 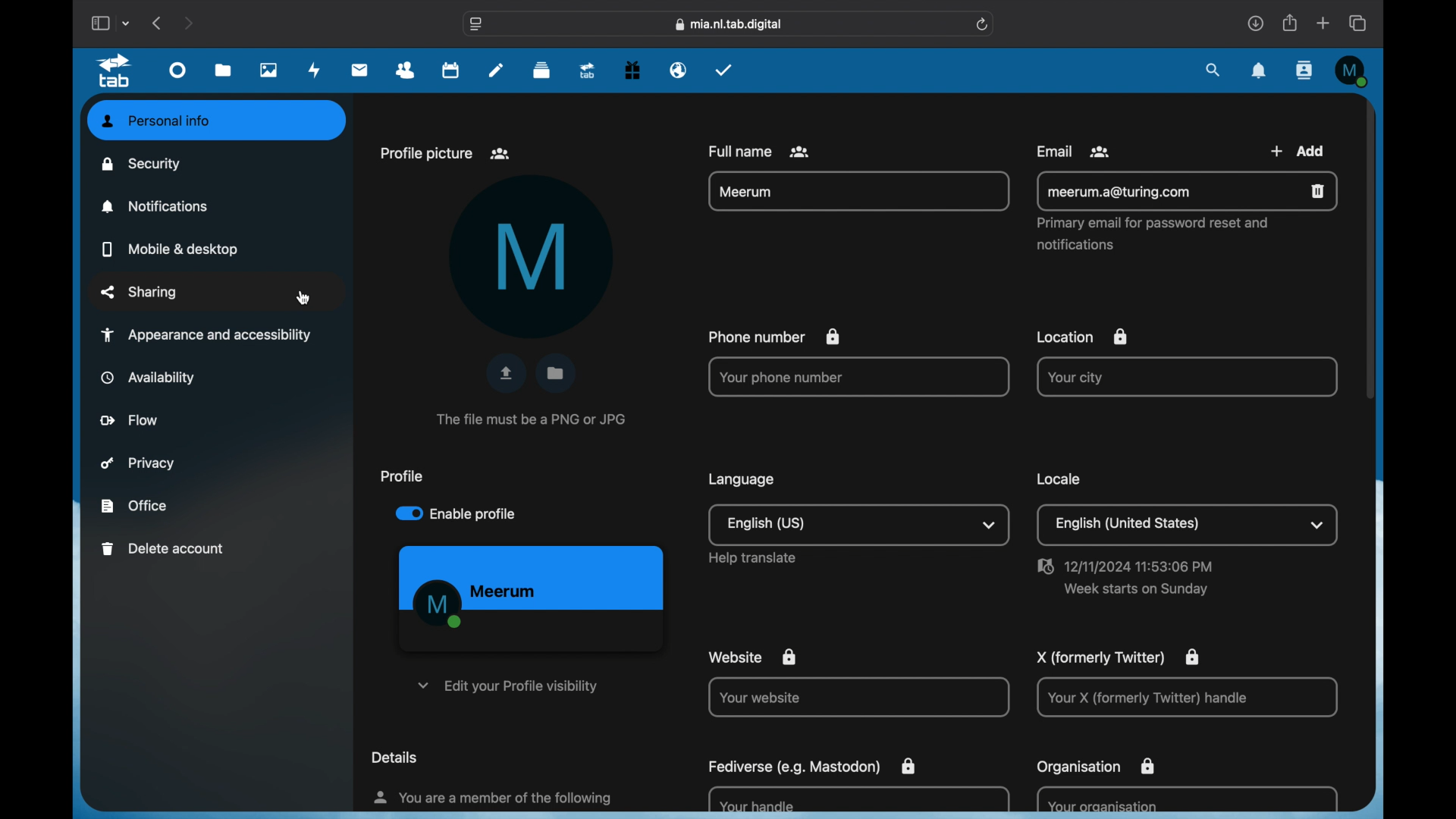 What do you see at coordinates (142, 291) in the screenshot?
I see `sharing` at bounding box center [142, 291].